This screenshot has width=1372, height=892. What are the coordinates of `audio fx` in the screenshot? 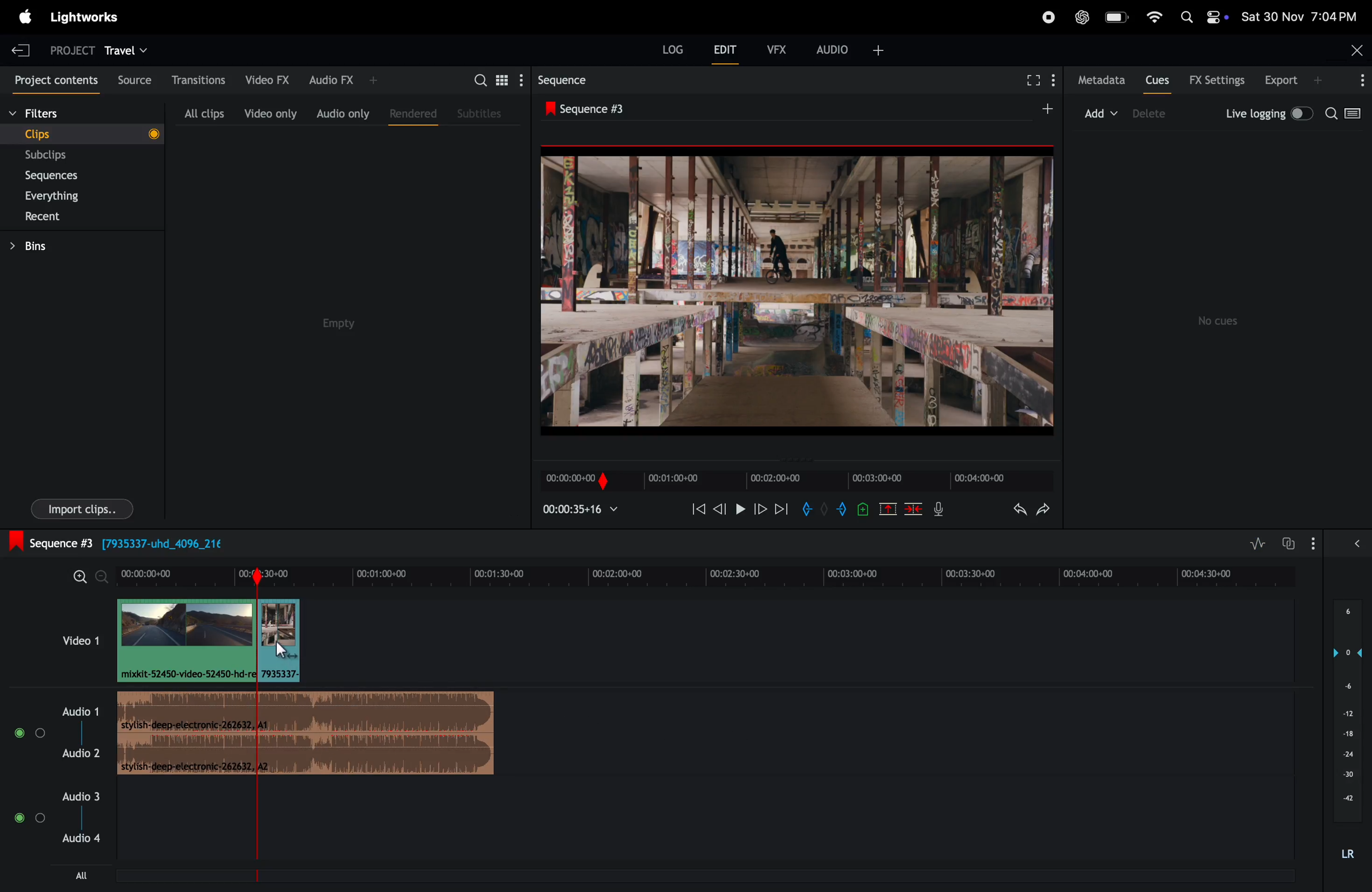 It's located at (341, 80).